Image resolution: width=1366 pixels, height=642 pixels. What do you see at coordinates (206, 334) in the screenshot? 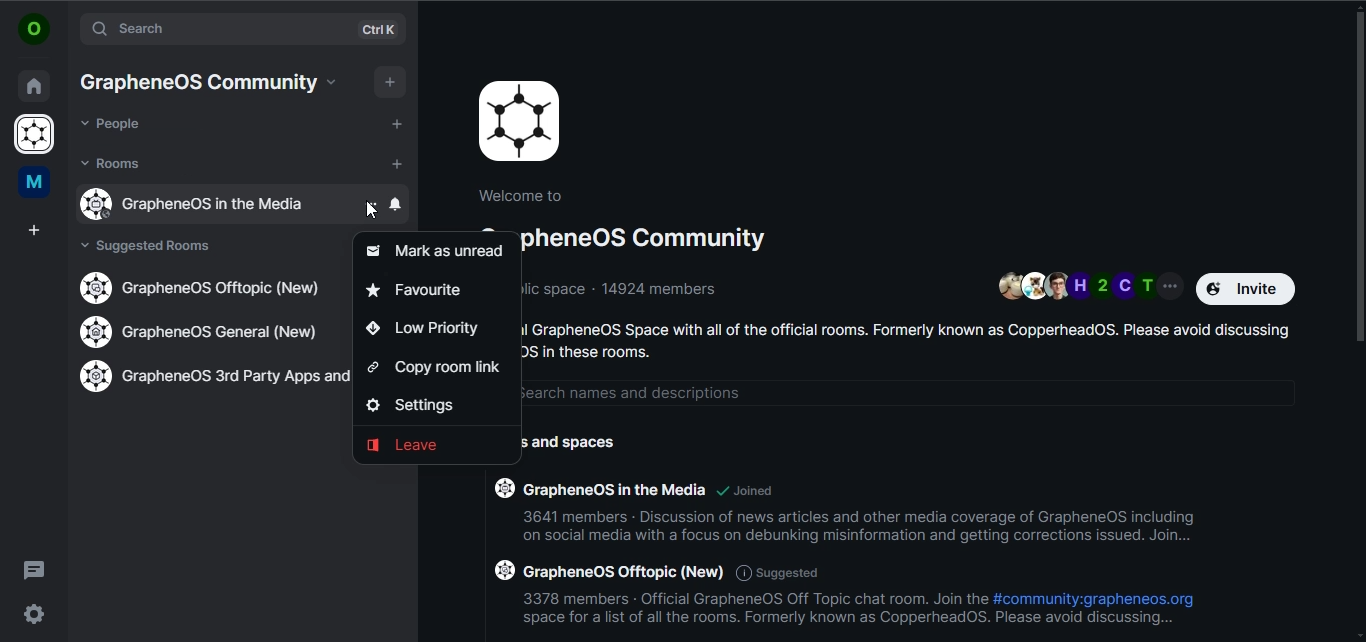
I see `GrapheneOS General` at bounding box center [206, 334].